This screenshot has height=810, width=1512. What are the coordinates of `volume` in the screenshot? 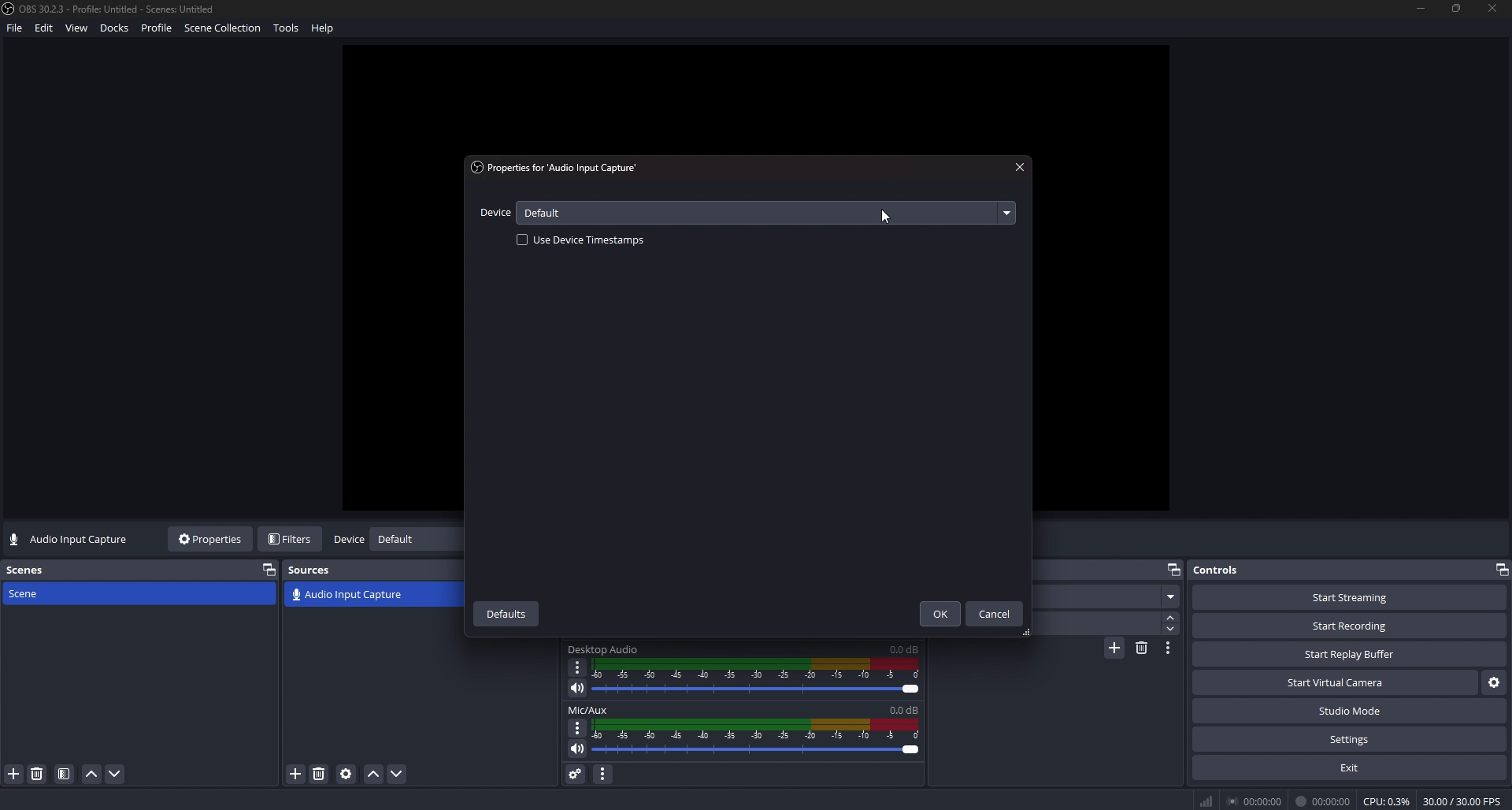 It's located at (575, 752).